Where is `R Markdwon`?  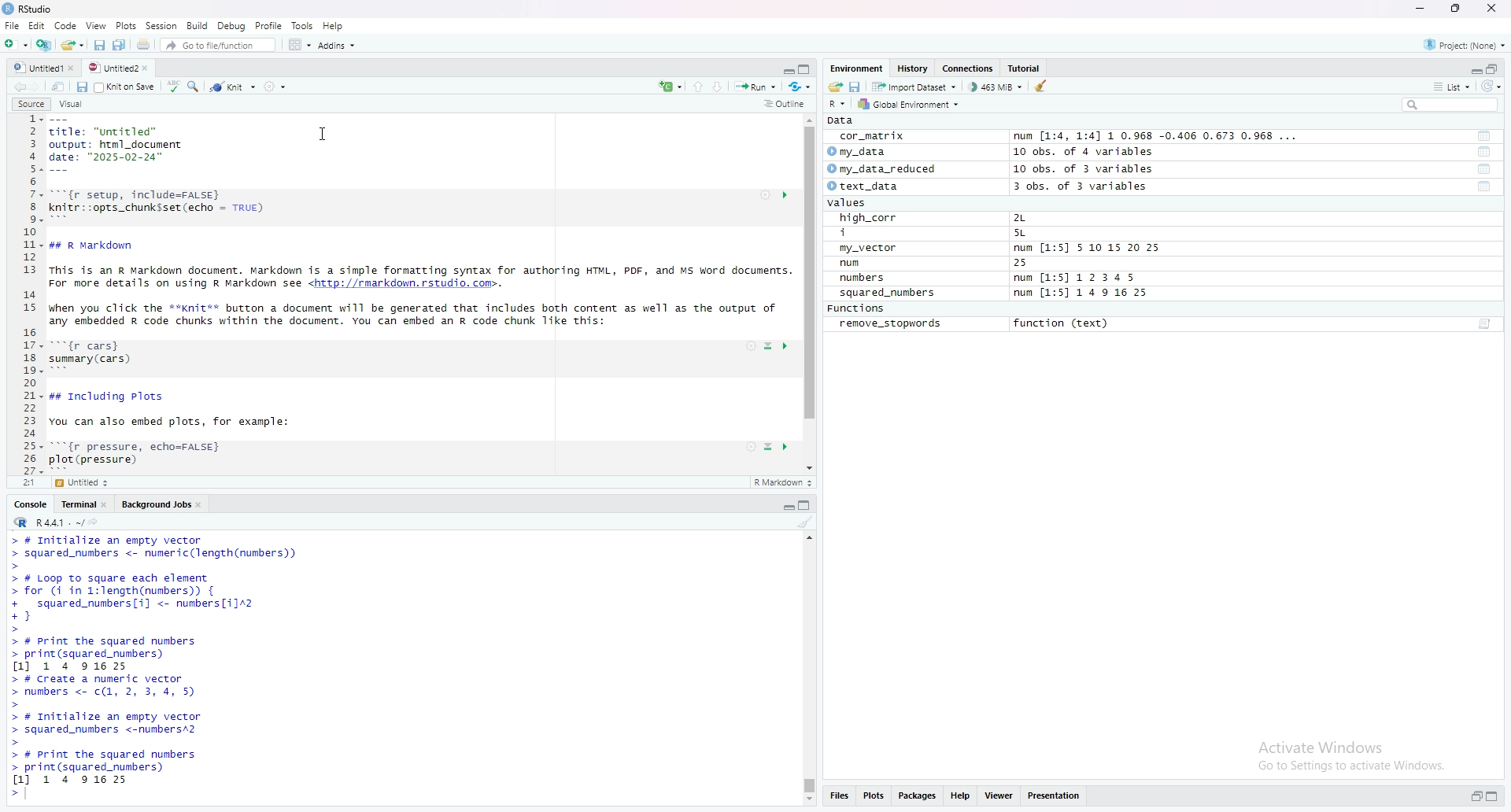 R Markdwon is located at coordinates (781, 483).